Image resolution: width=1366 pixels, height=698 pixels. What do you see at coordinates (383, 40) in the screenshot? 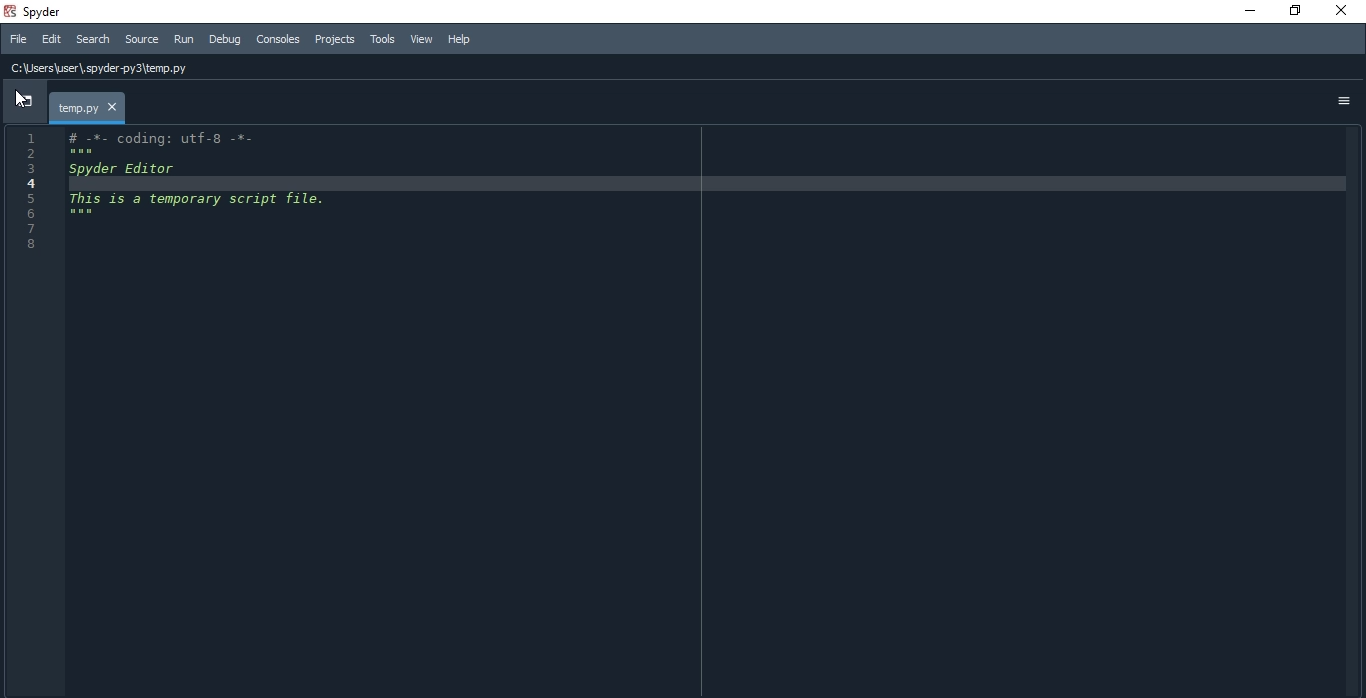
I see `Tools` at bounding box center [383, 40].